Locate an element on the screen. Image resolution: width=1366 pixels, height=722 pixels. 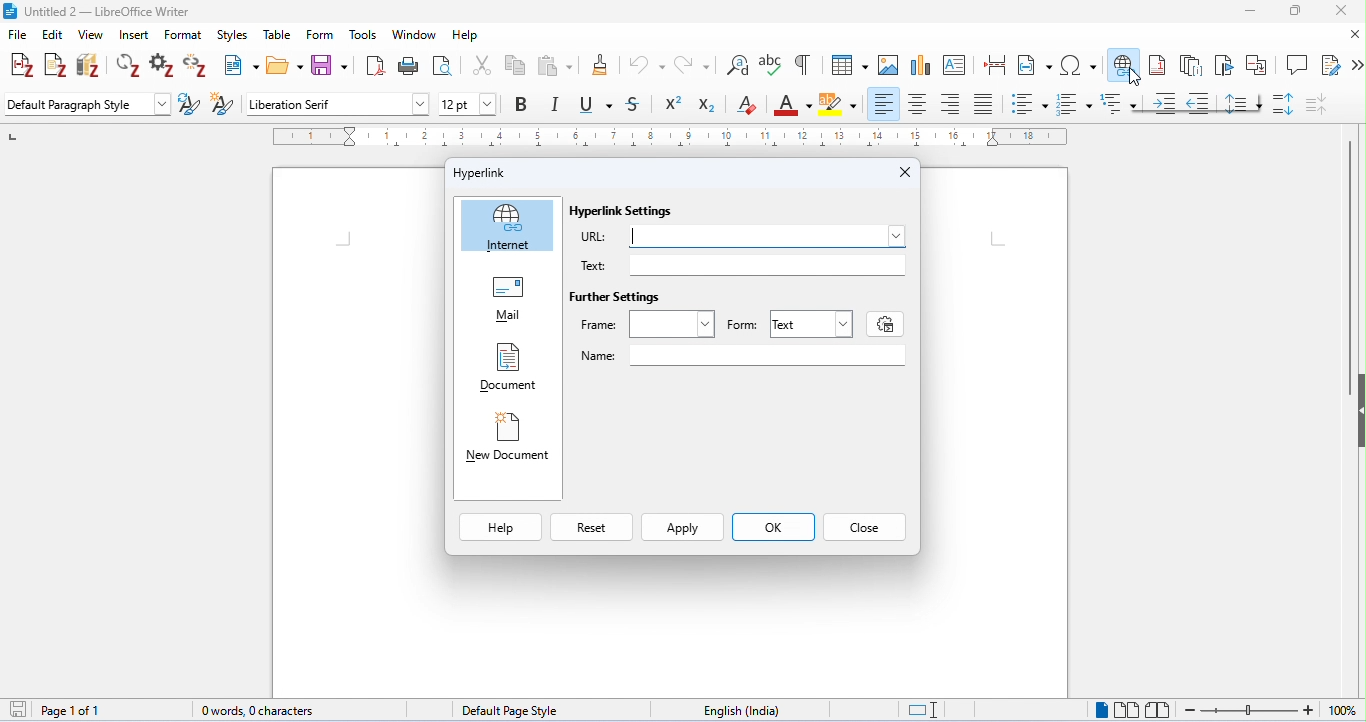
insert cross reference is located at coordinates (1258, 65).